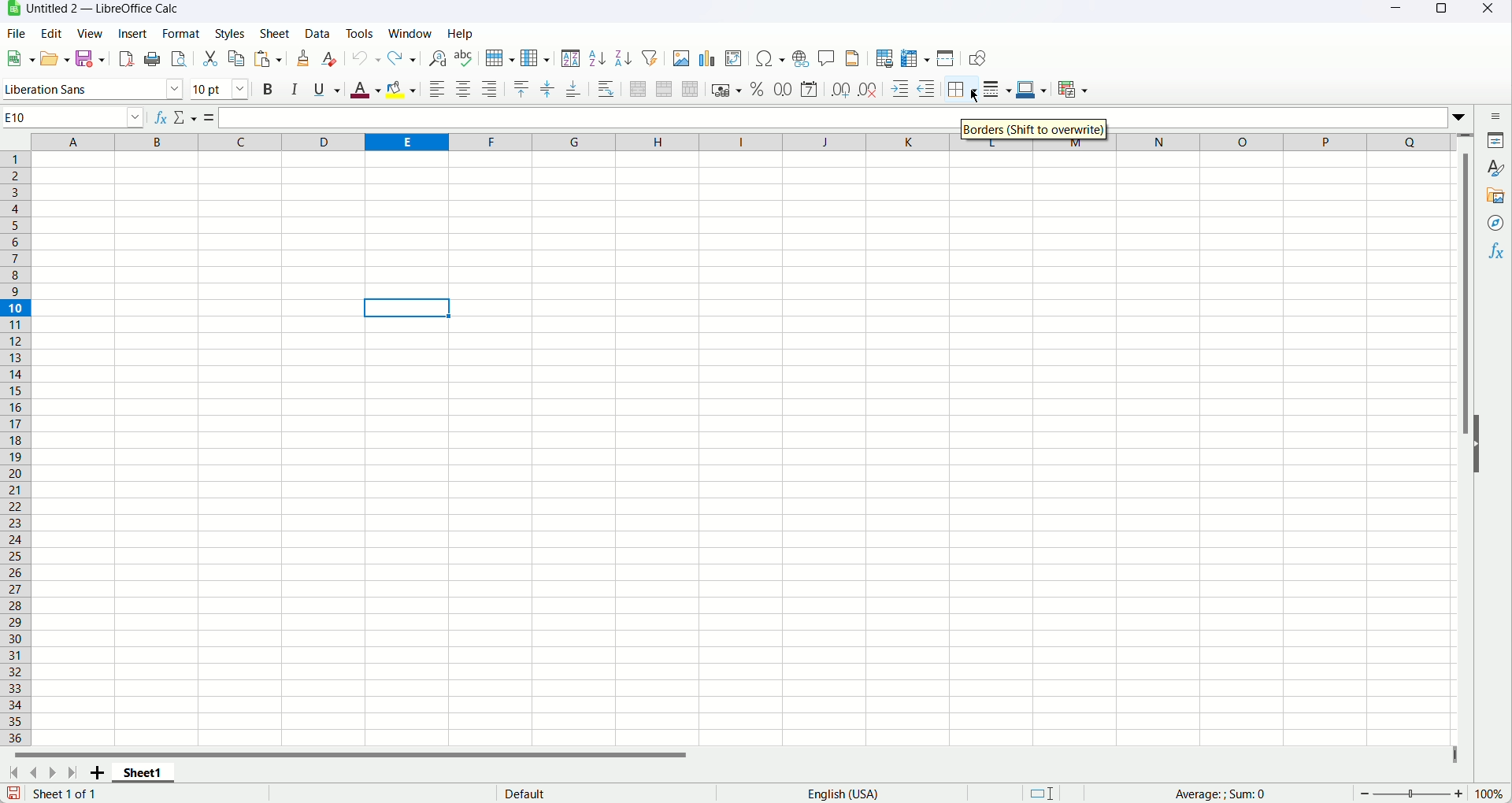 The width and height of the screenshot is (1512, 803). What do you see at coordinates (490, 87) in the screenshot?
I see `Align right` at bounding box center [490, 87].